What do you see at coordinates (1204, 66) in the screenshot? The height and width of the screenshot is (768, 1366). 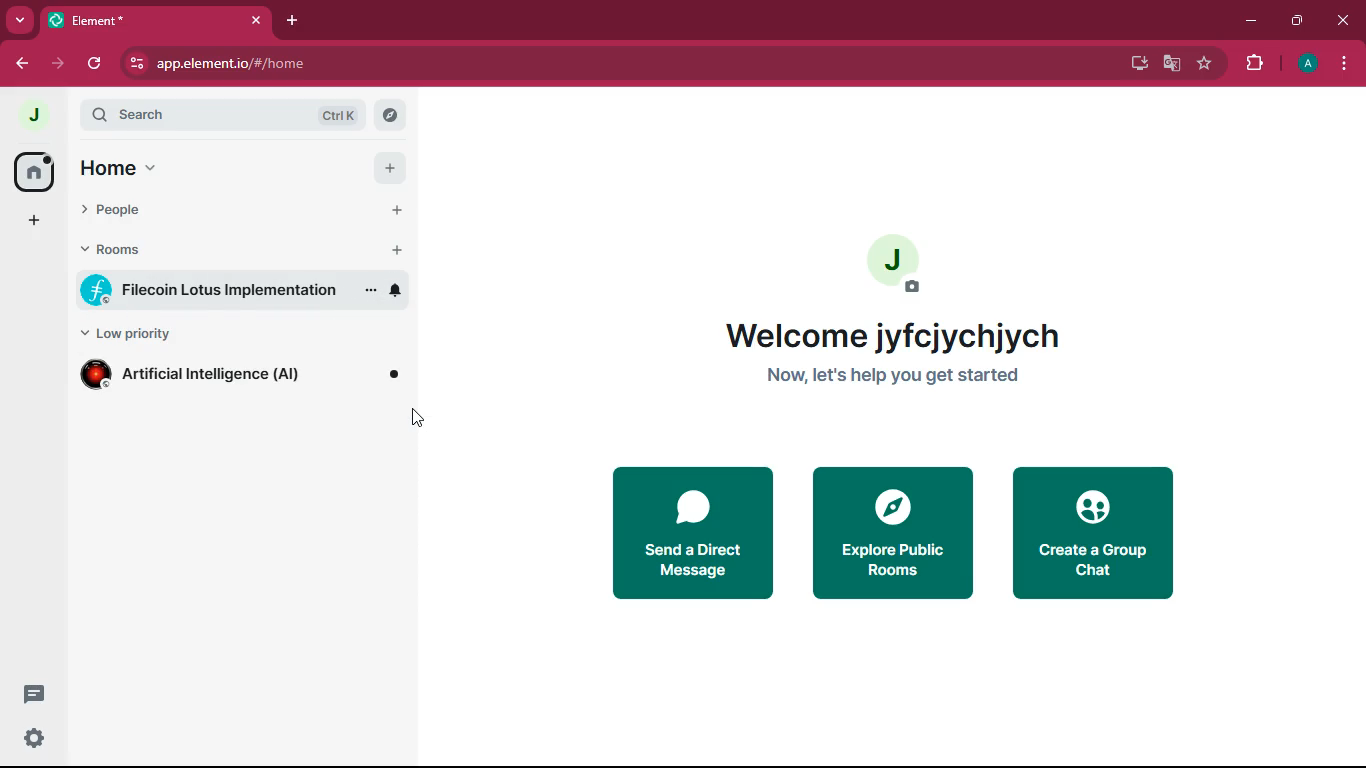 I see `favorite` at bounding box center [1204, 66].